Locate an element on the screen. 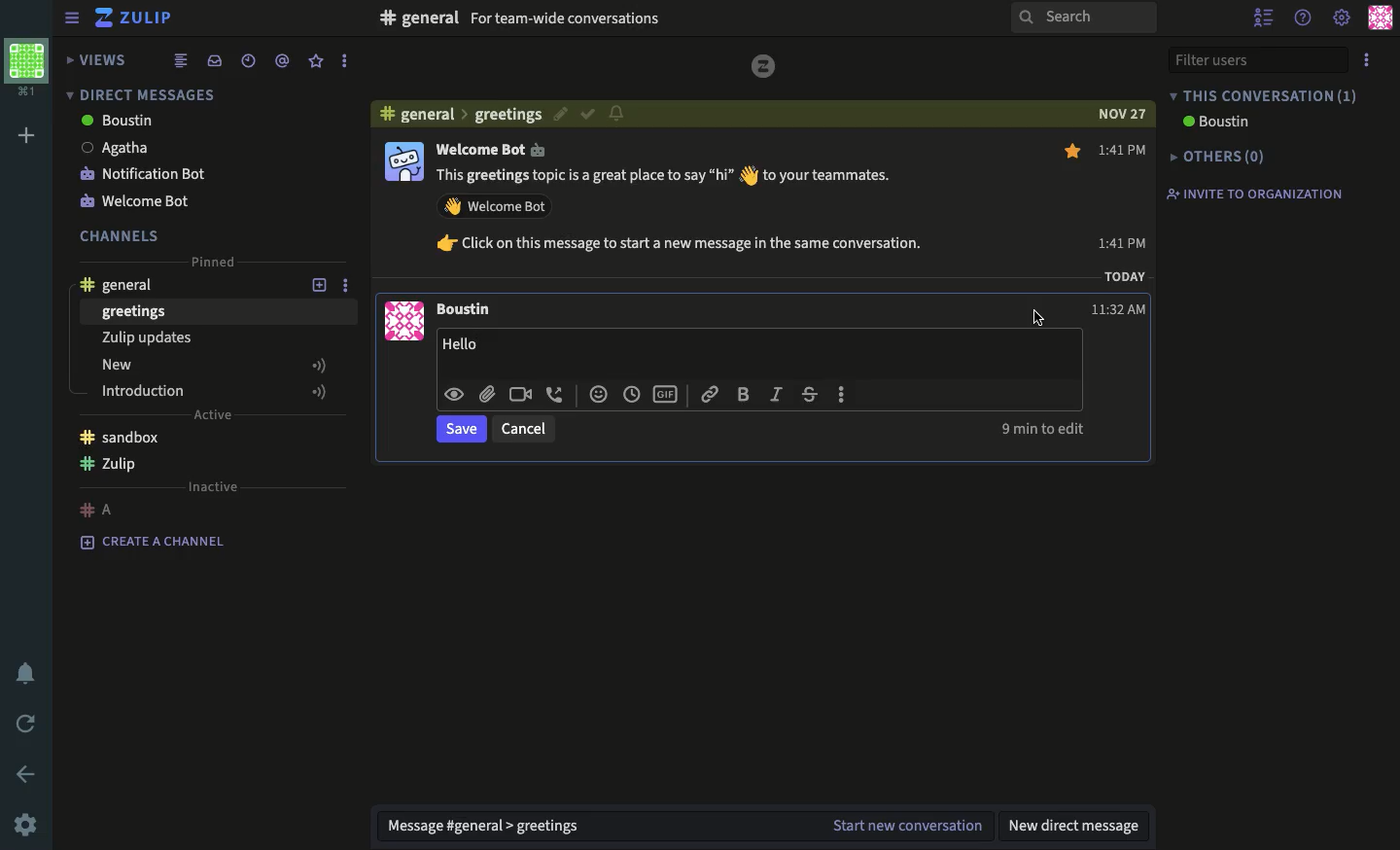 The image size is (1400, 850). new is located at coordinates (215, 368).